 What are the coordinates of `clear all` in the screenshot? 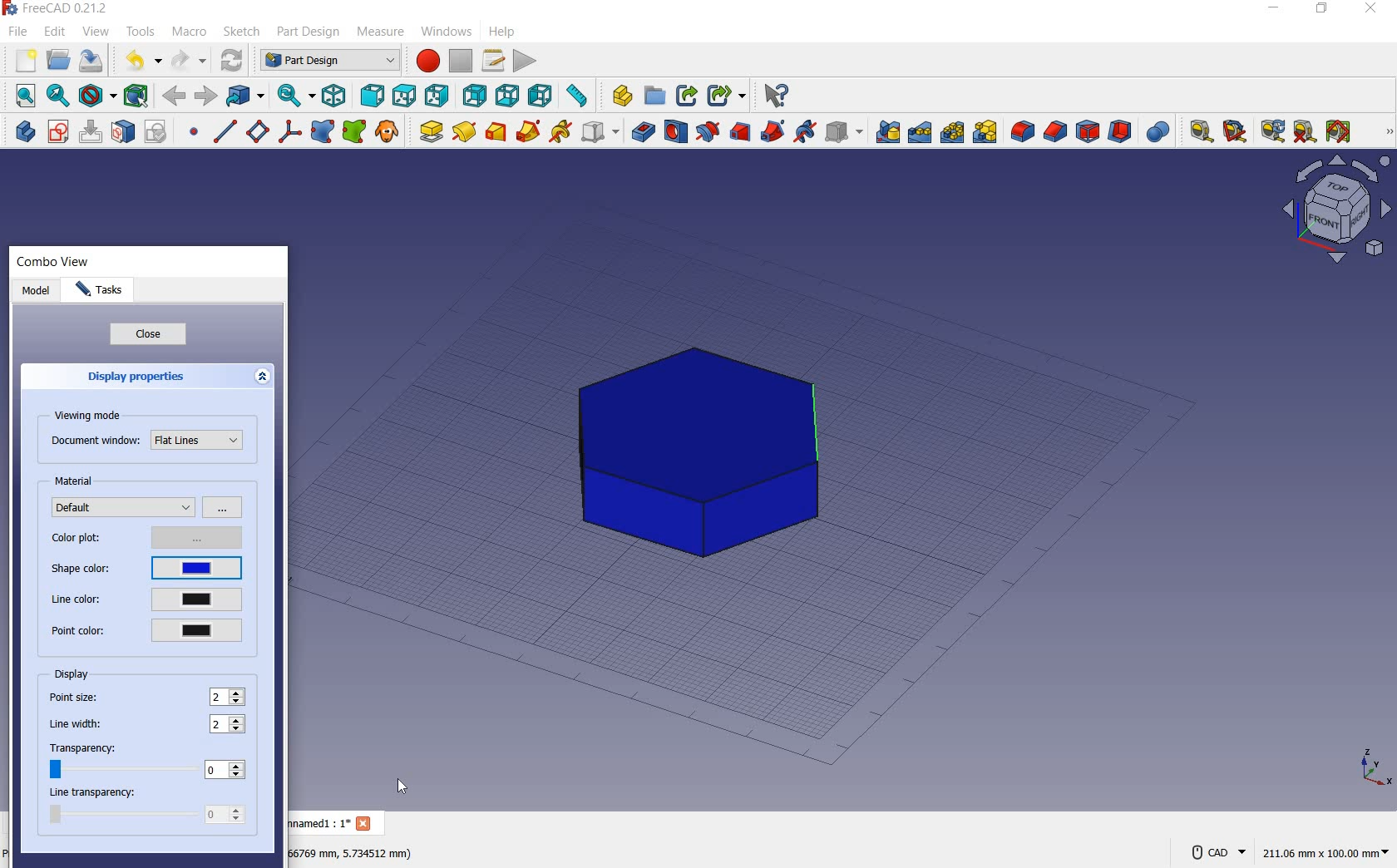 It's located at (1305, 132).